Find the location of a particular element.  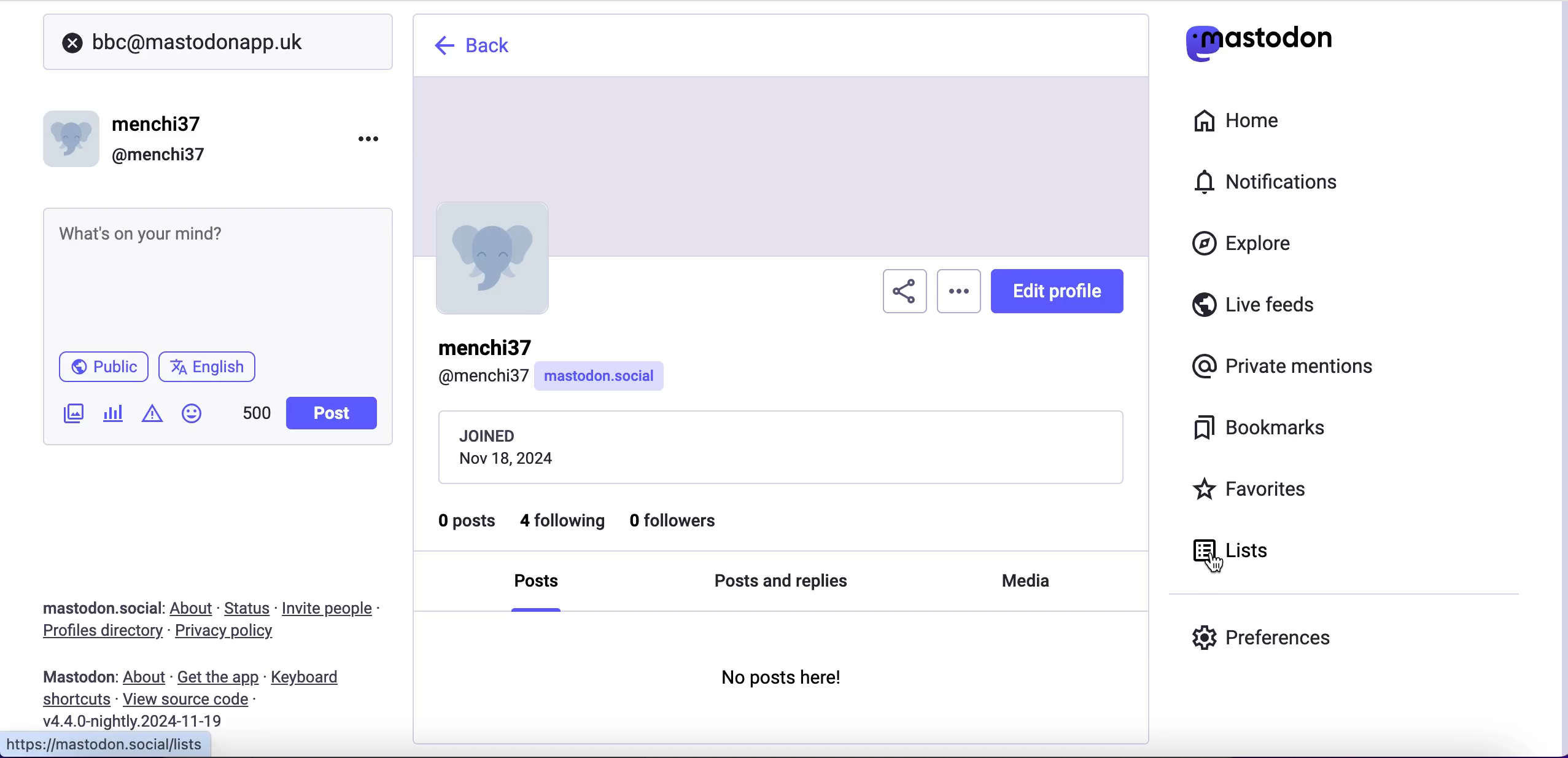

shortcuts is located at coordinates (72, 700).